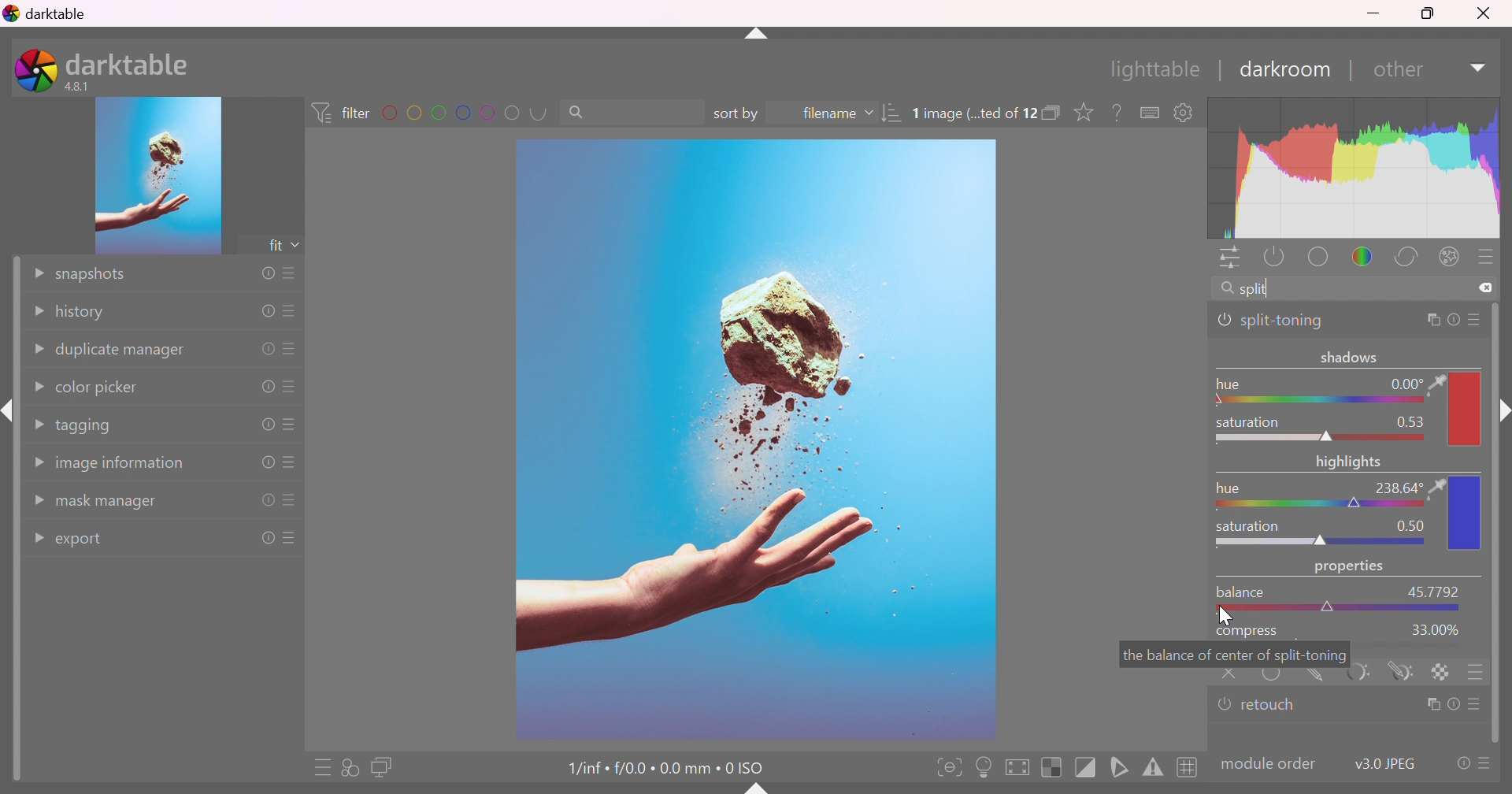 Image resolution: width=1512 pixels, height=794 pixels. I want to click on slider, so click(1341, 610).